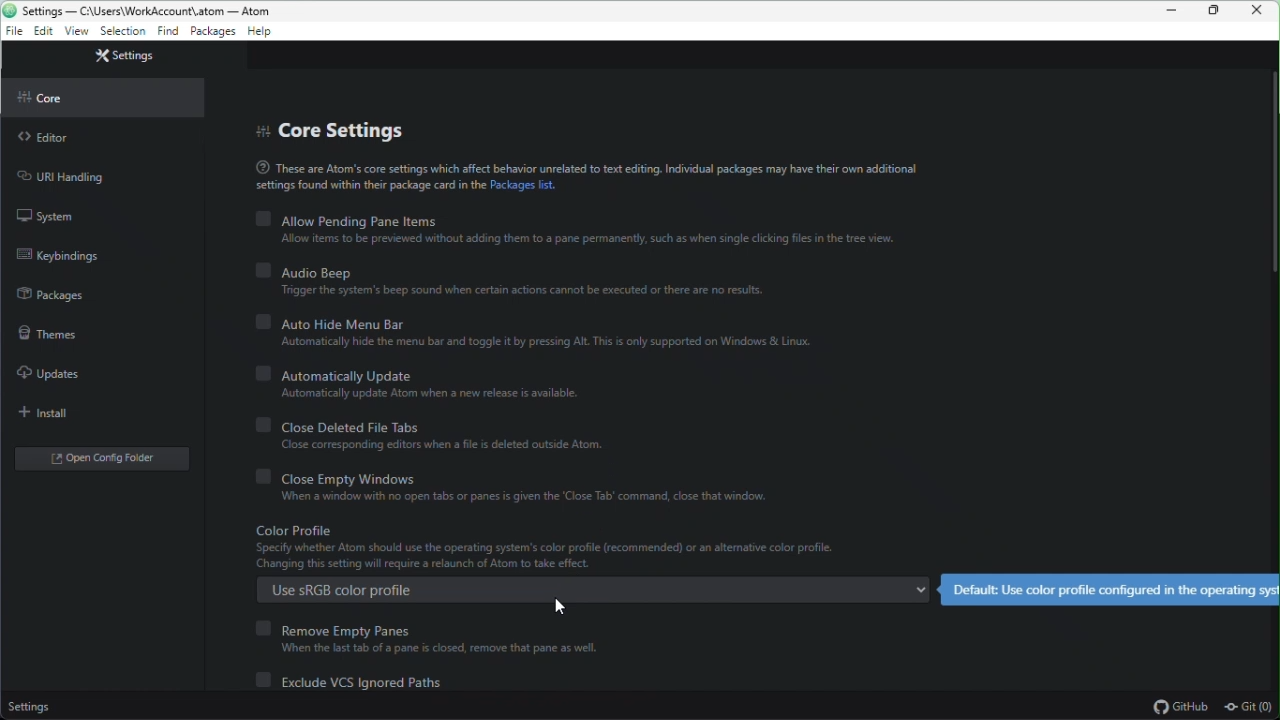 The image size is (1280, 720). Describe the element at coordinates (557, 605) in the screenshot. I see `cursor` at that location.